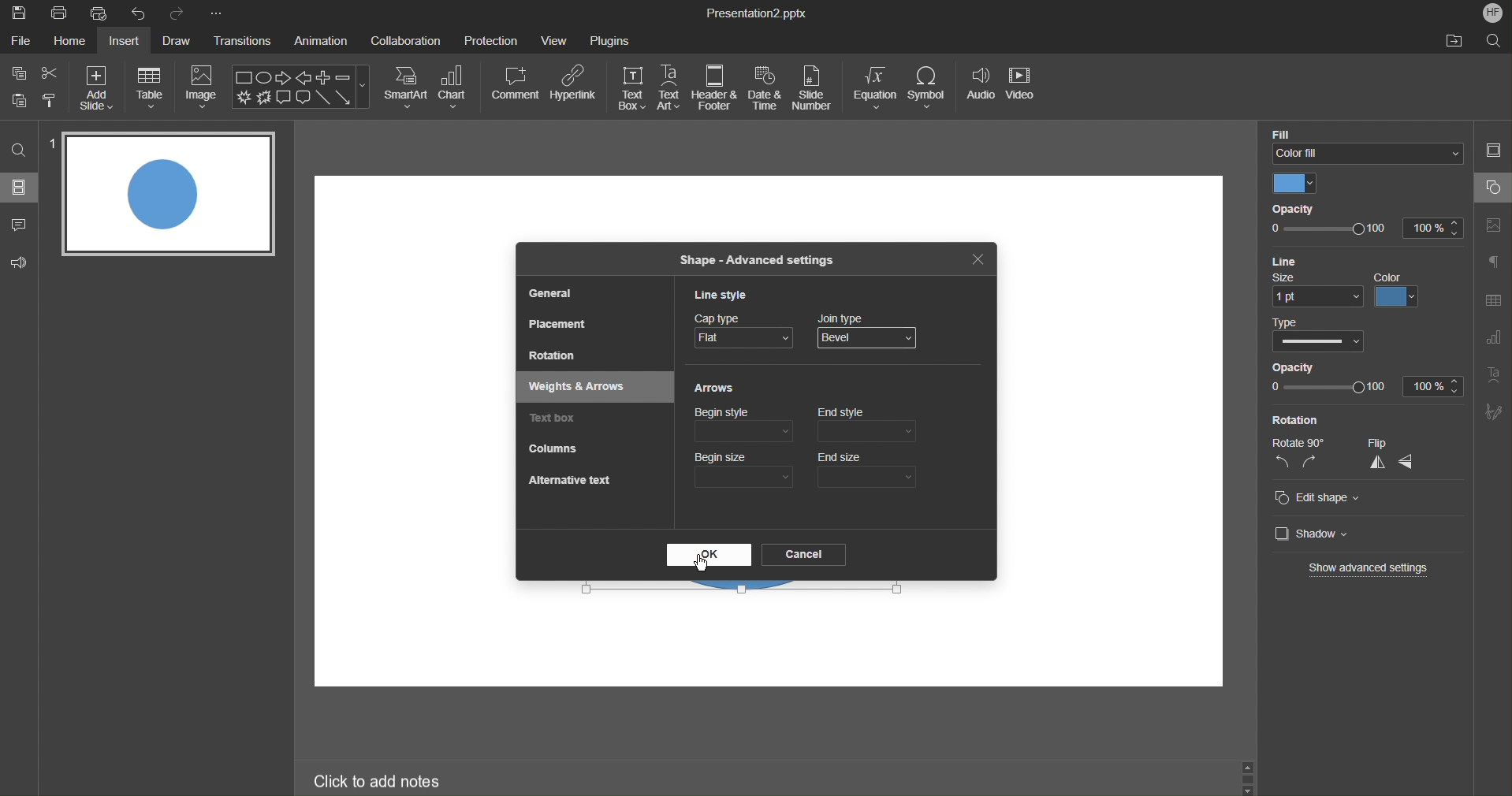  I want to click on Shape Settings, so click(1492, 188).